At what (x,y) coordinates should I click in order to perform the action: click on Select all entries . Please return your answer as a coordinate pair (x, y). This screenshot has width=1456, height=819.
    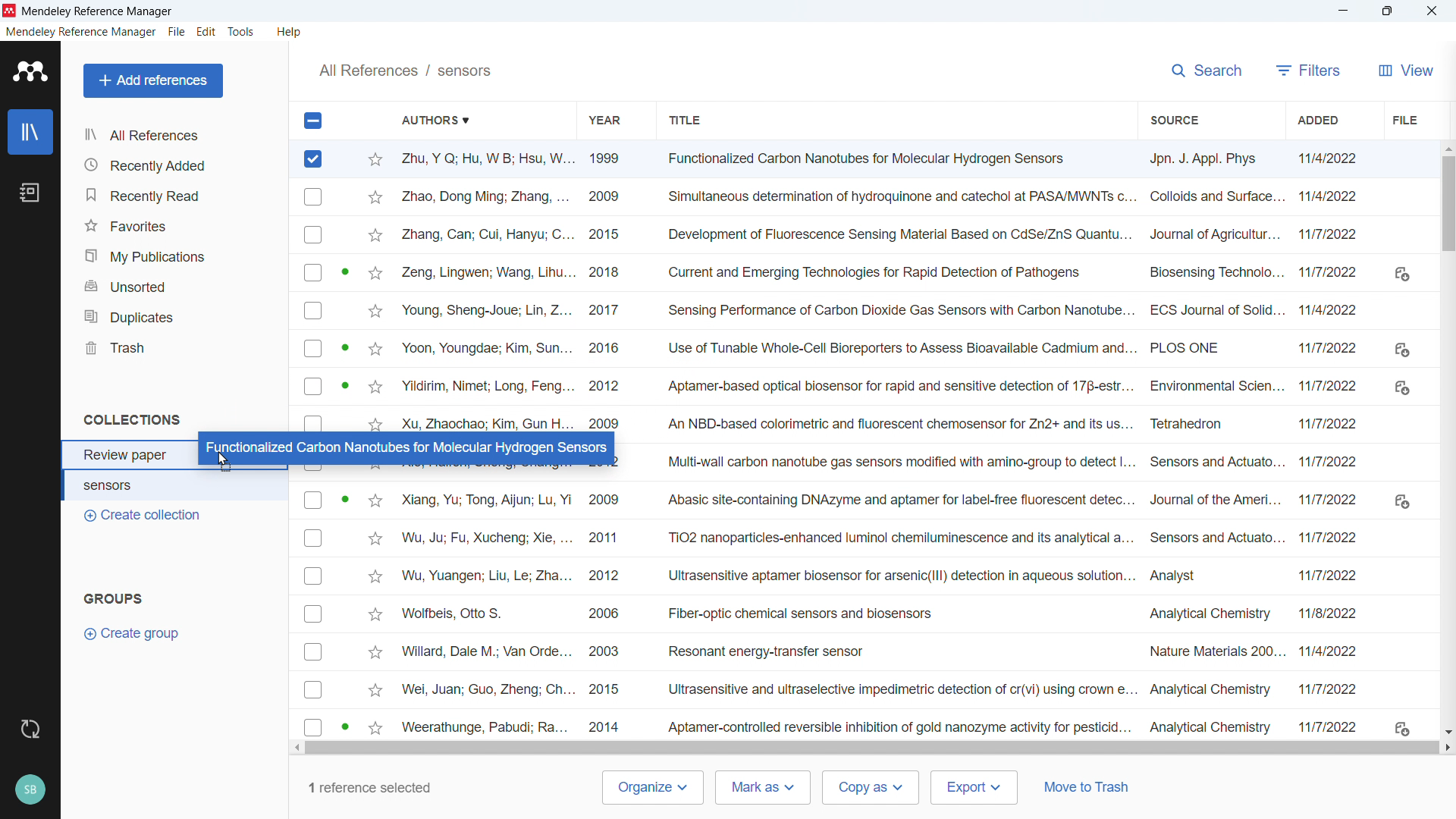
    Looking at the image, I should click on (312, 120).